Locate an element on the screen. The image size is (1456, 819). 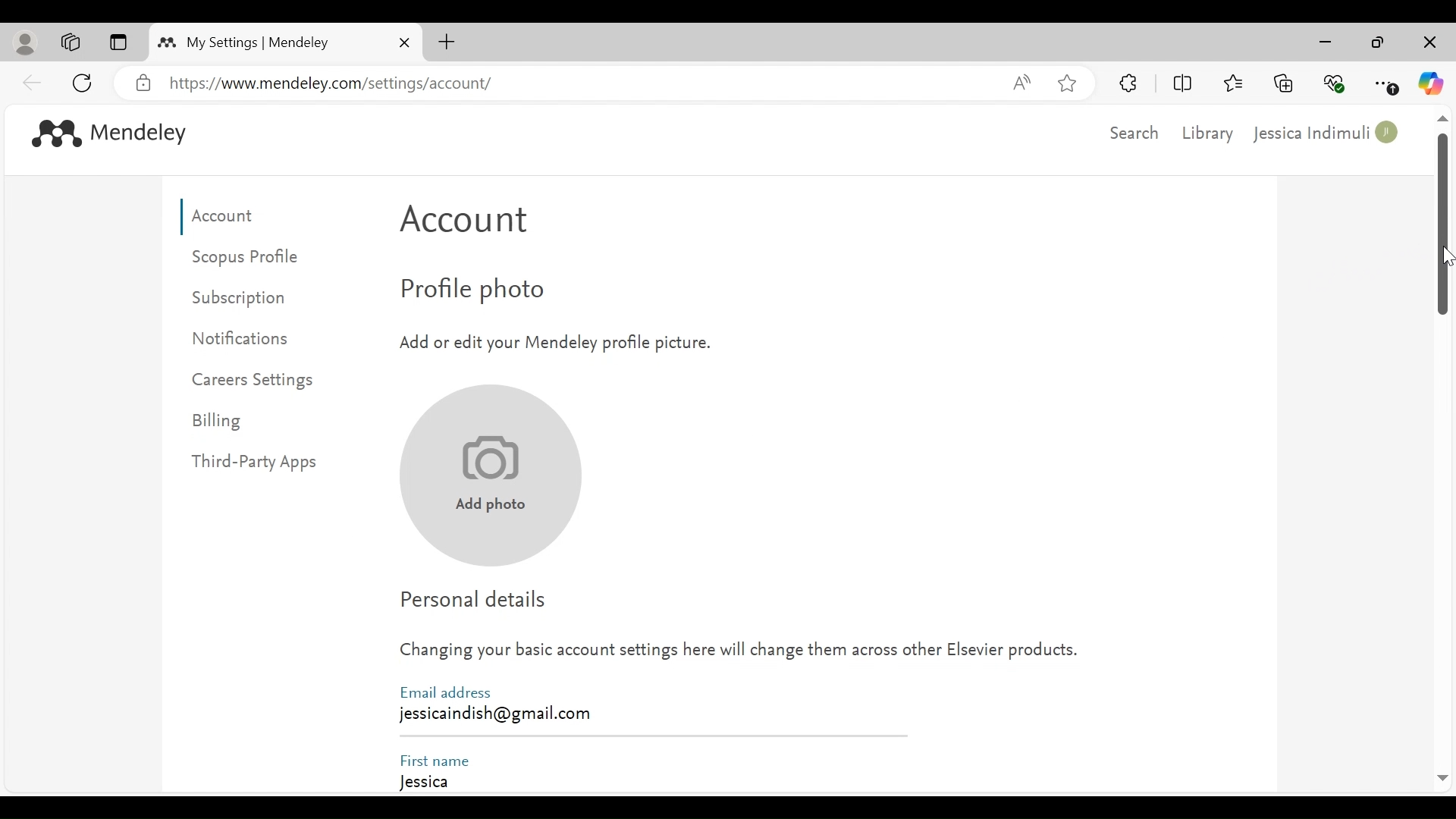
Jessica is located at coordinates (648, 782).